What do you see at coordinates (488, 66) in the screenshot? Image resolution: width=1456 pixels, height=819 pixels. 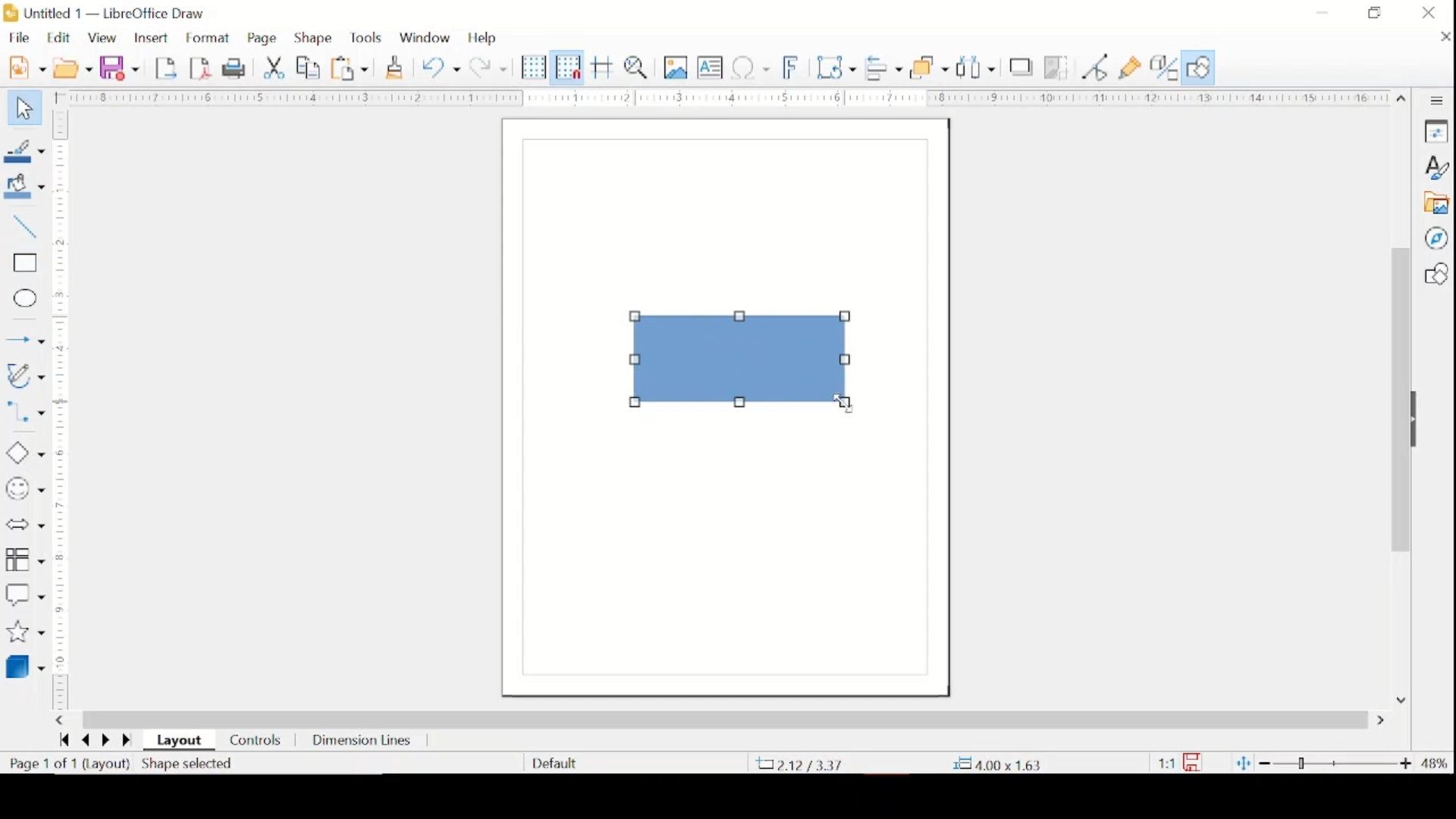 I see `redo` at bounding box center [488, 66].